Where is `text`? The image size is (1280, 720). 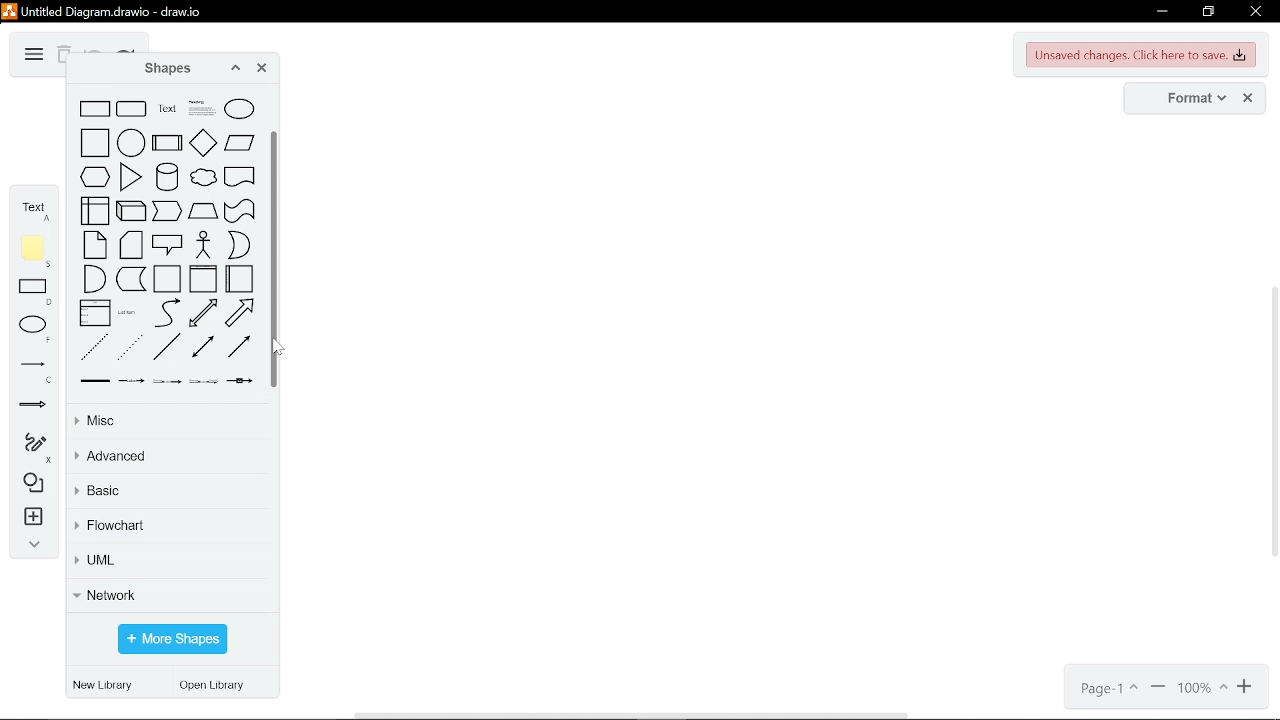
text is located at coordinates (34, 208).